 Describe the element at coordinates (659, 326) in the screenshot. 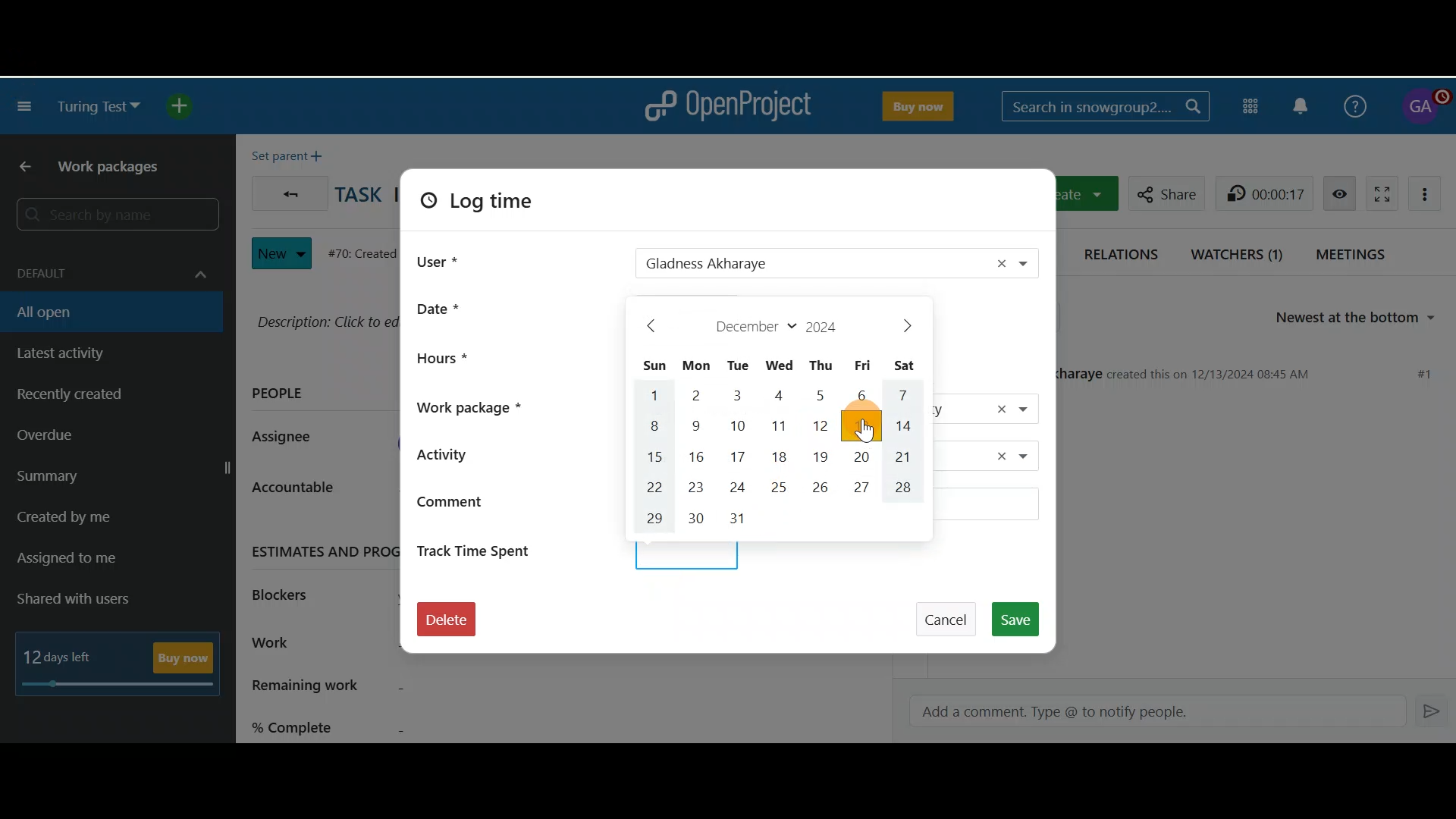

I see `< back` at that location.